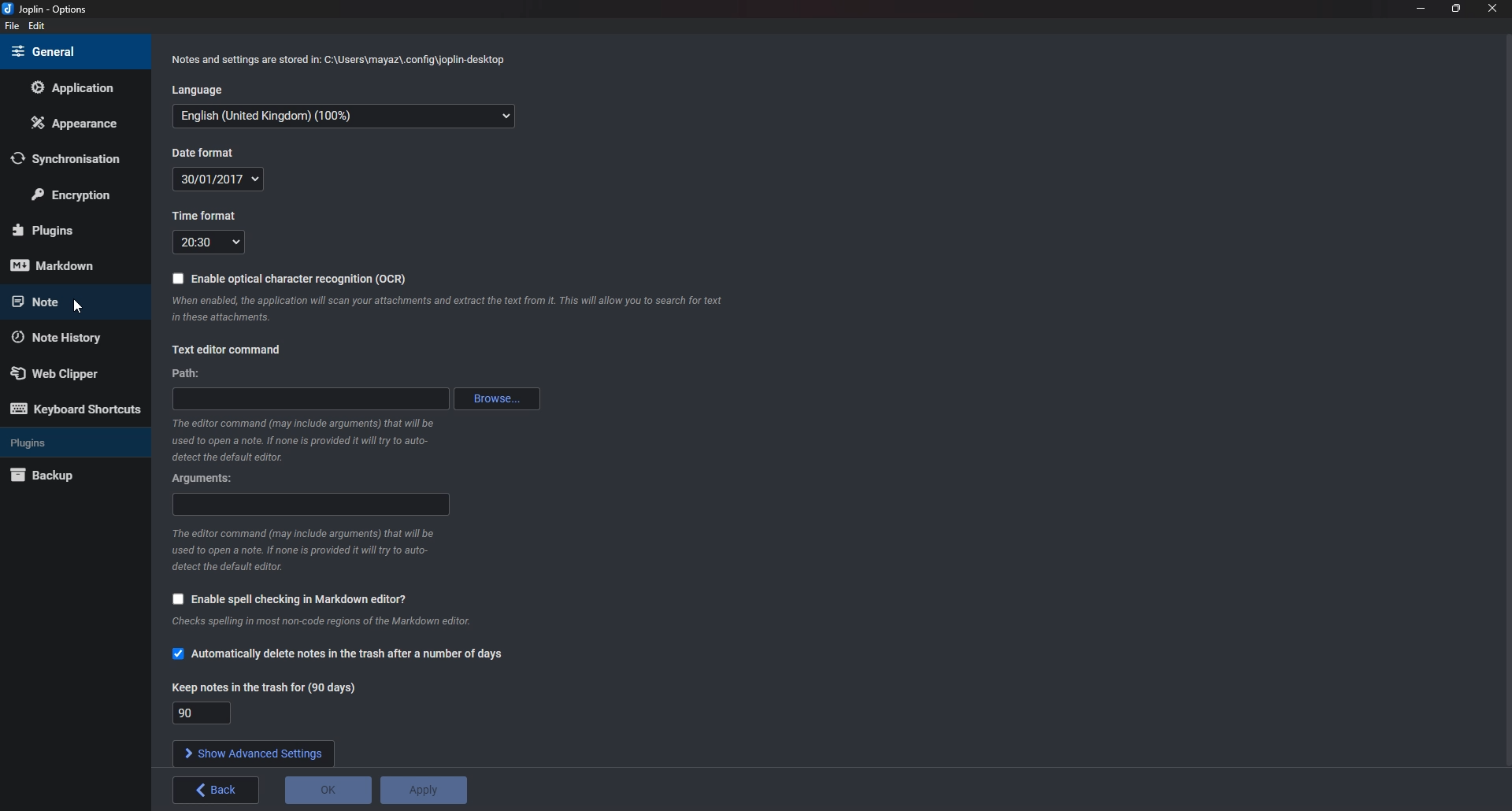  What do you see at coordinates (292, 601) in the screenshot?
I see `Enable spell checking` at bounding box center [292, 601].